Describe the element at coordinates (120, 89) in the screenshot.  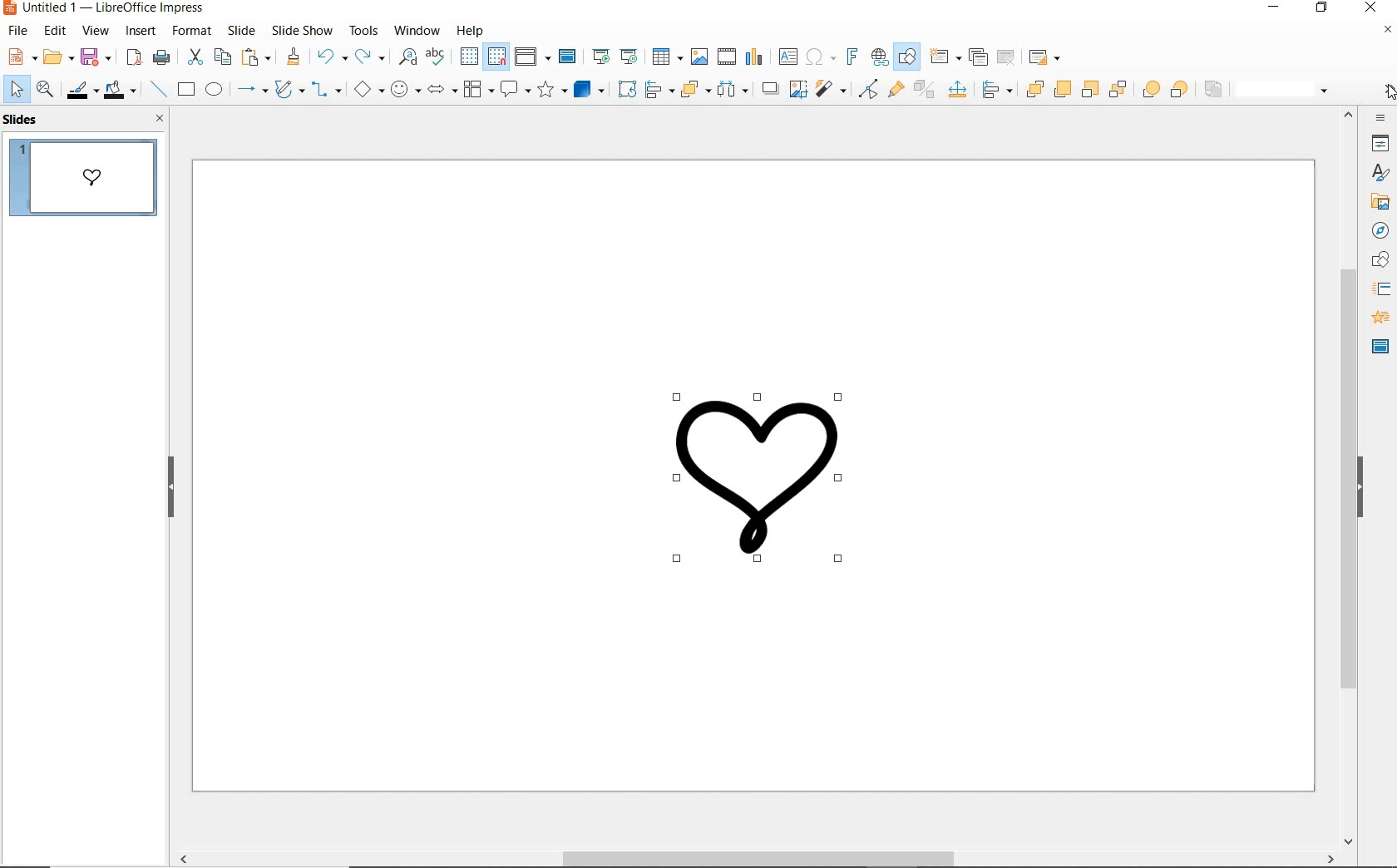
I see `fill color` at that location.